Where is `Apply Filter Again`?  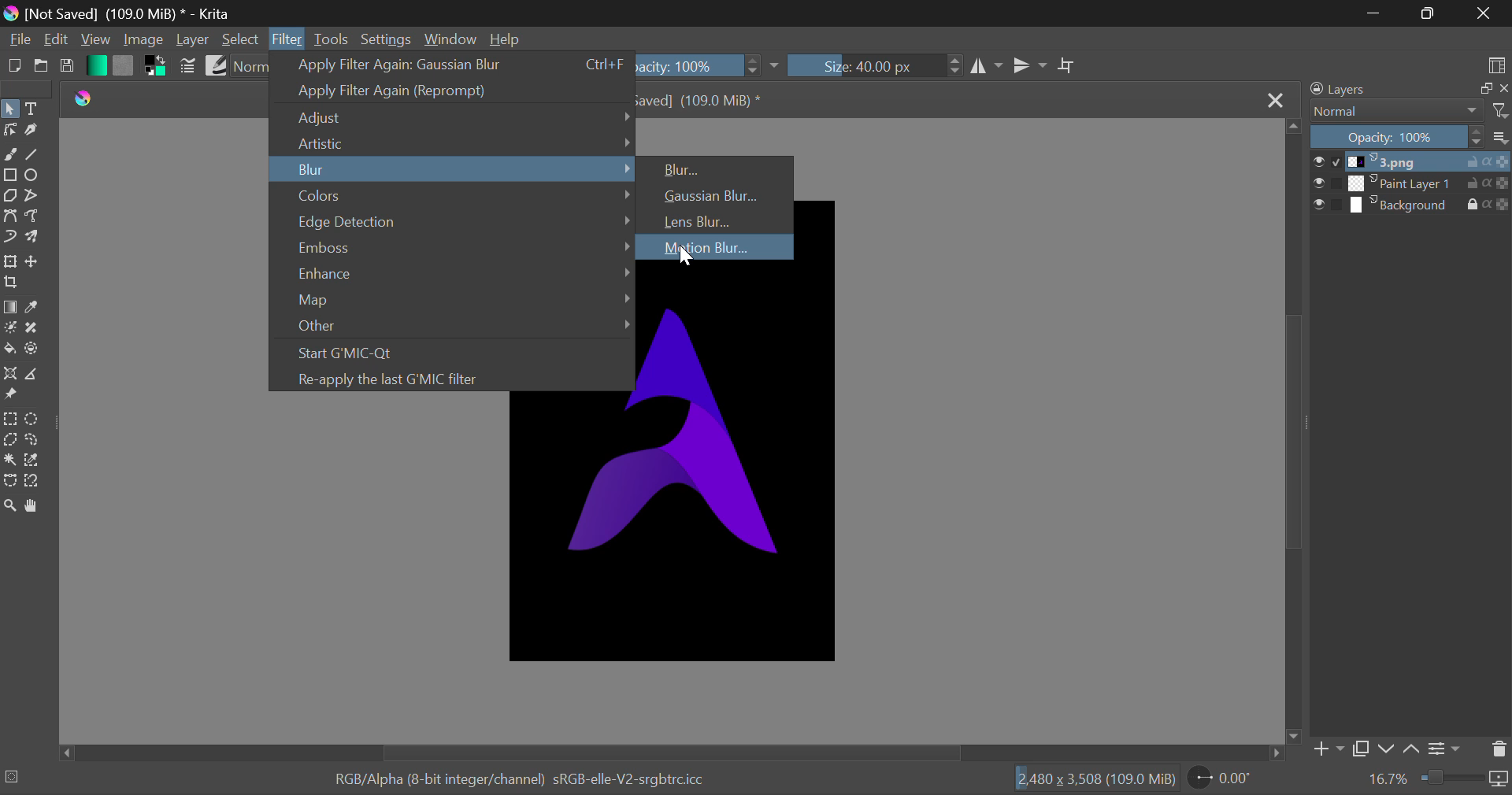 Apply Filter Again is located at coordinates (448, 91).